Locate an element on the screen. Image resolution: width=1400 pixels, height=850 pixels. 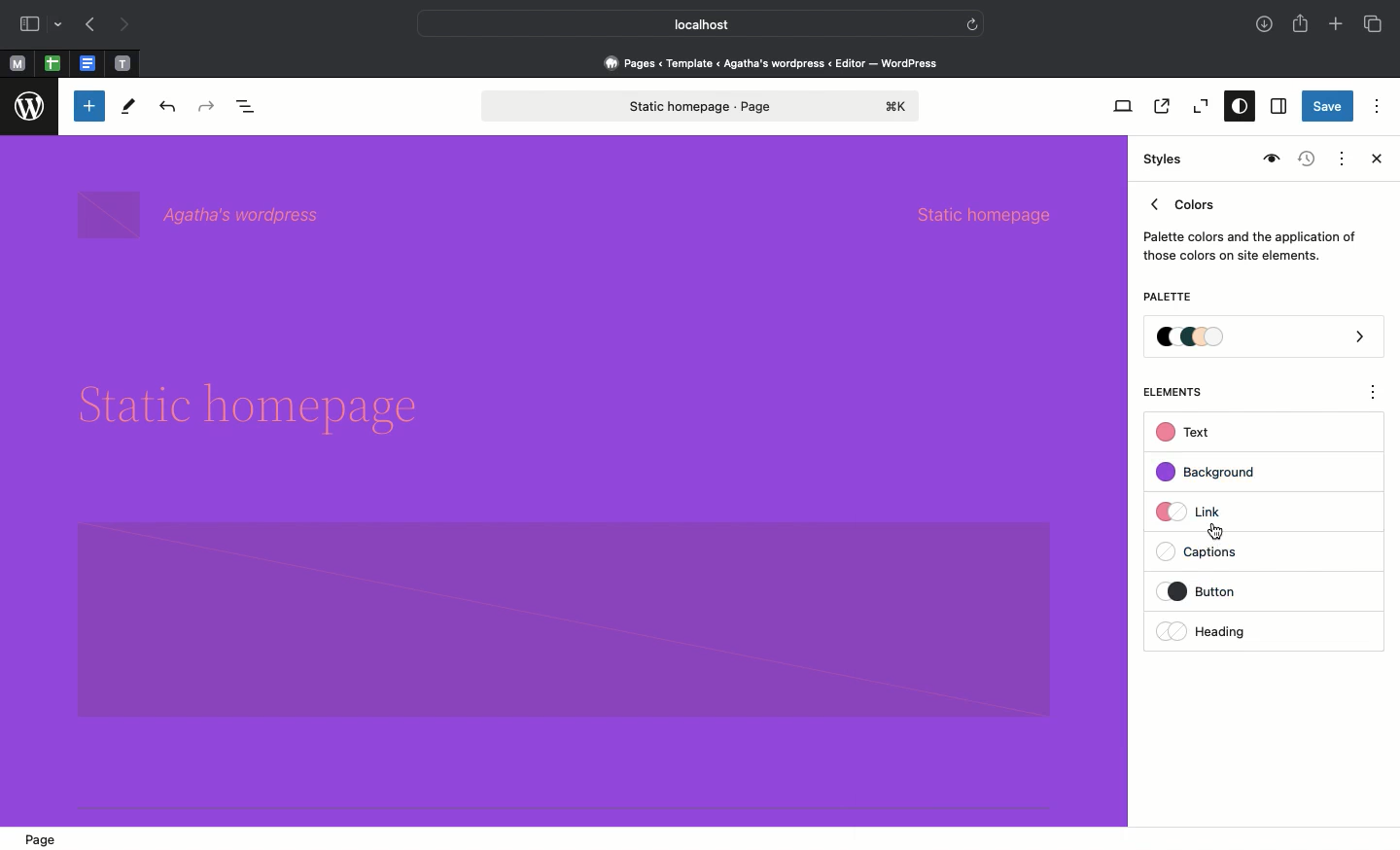
Pinned tab is located at coordinates (89, 64).